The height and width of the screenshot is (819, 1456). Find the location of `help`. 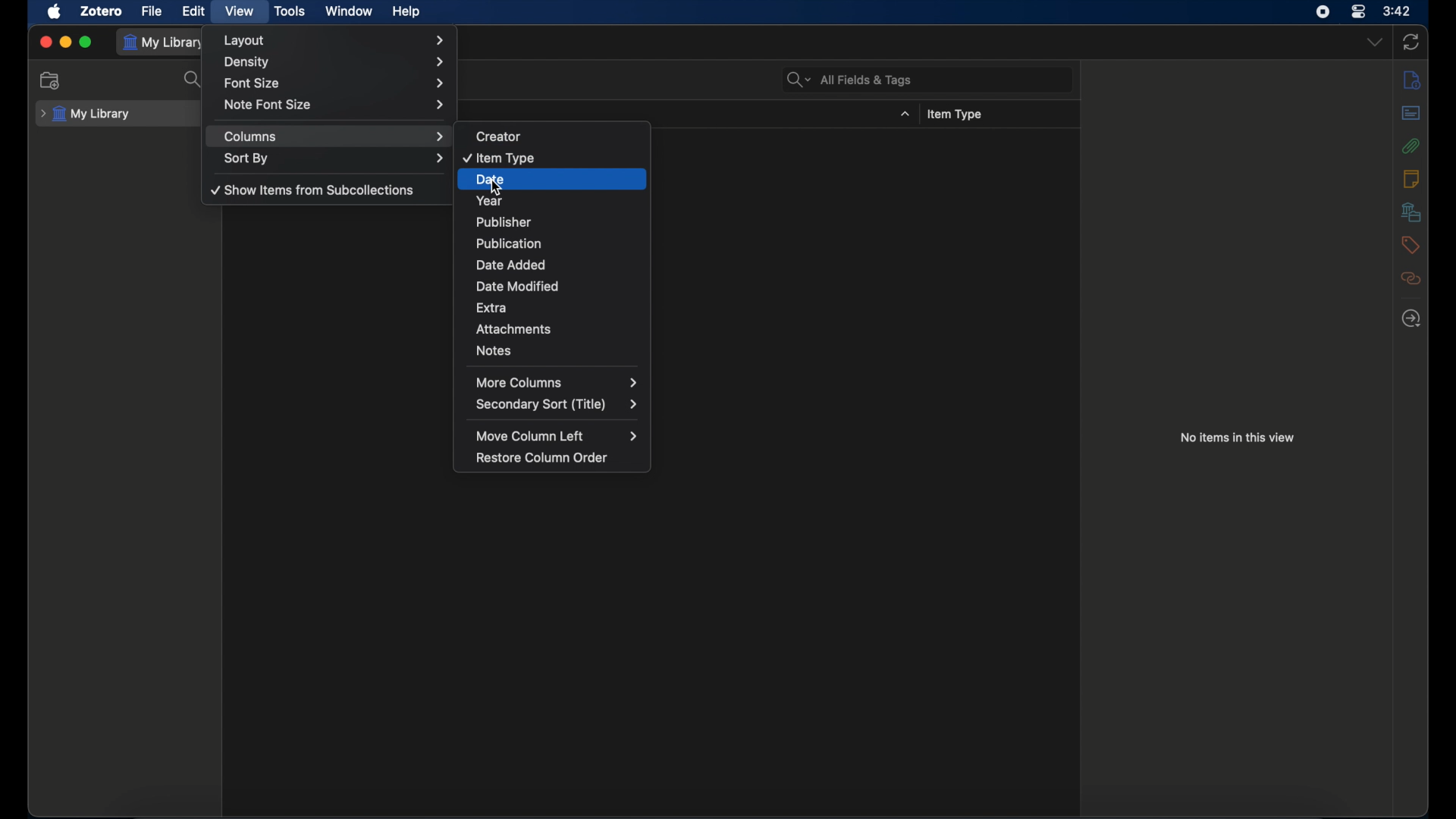

help is located at coordinates (406, 12).